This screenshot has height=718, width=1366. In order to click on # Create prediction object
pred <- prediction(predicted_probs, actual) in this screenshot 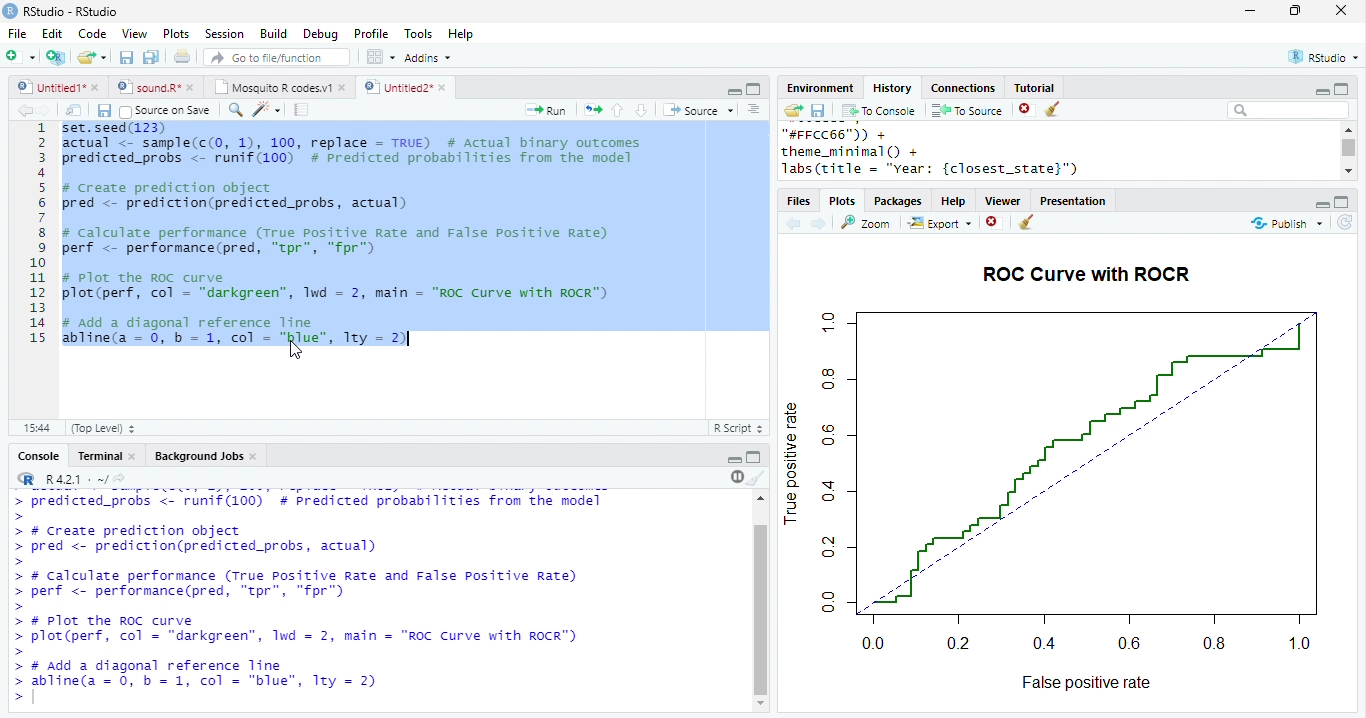, I will do `click(236, 196)`.